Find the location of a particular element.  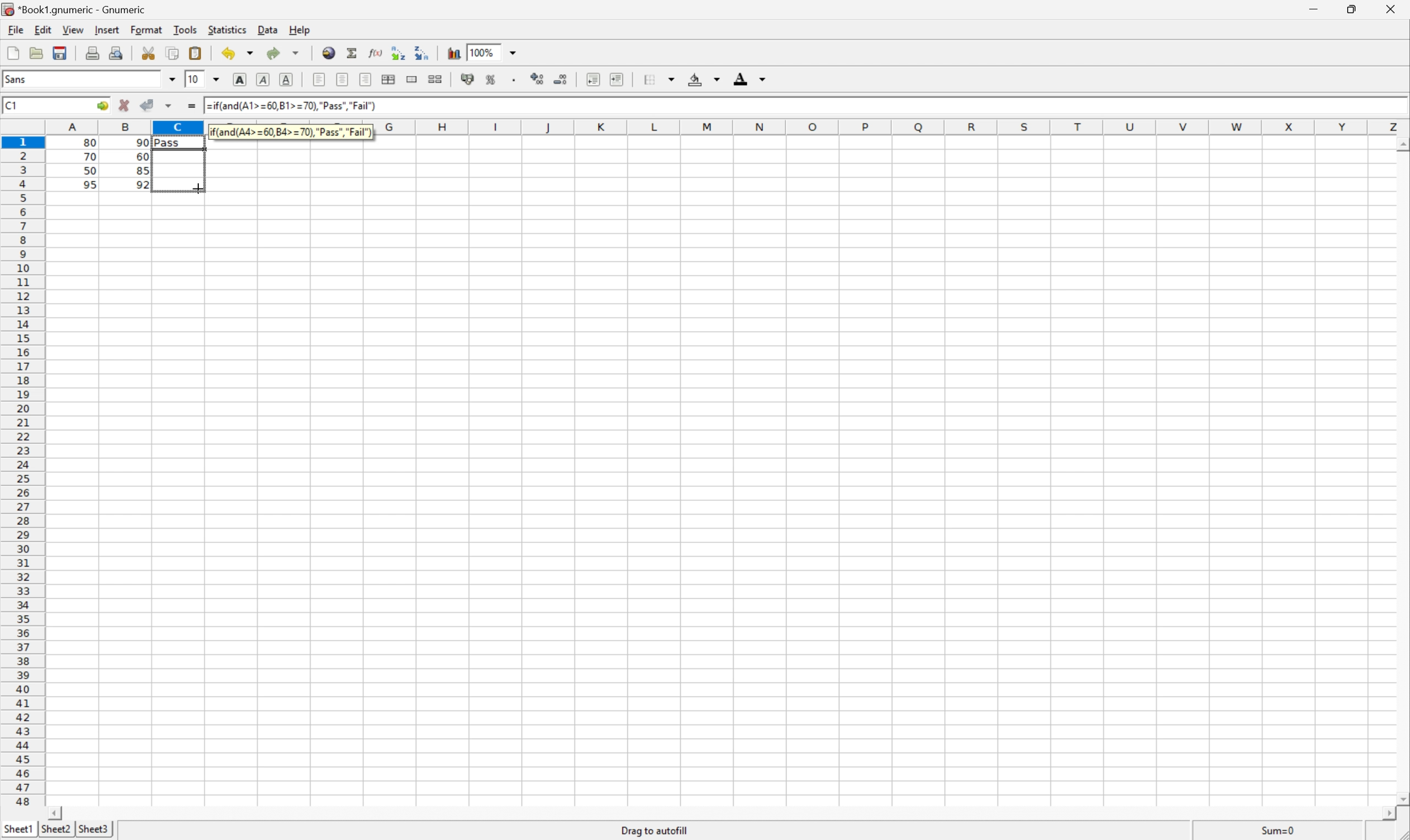

Enter formula is located at coordinates (191, 106).